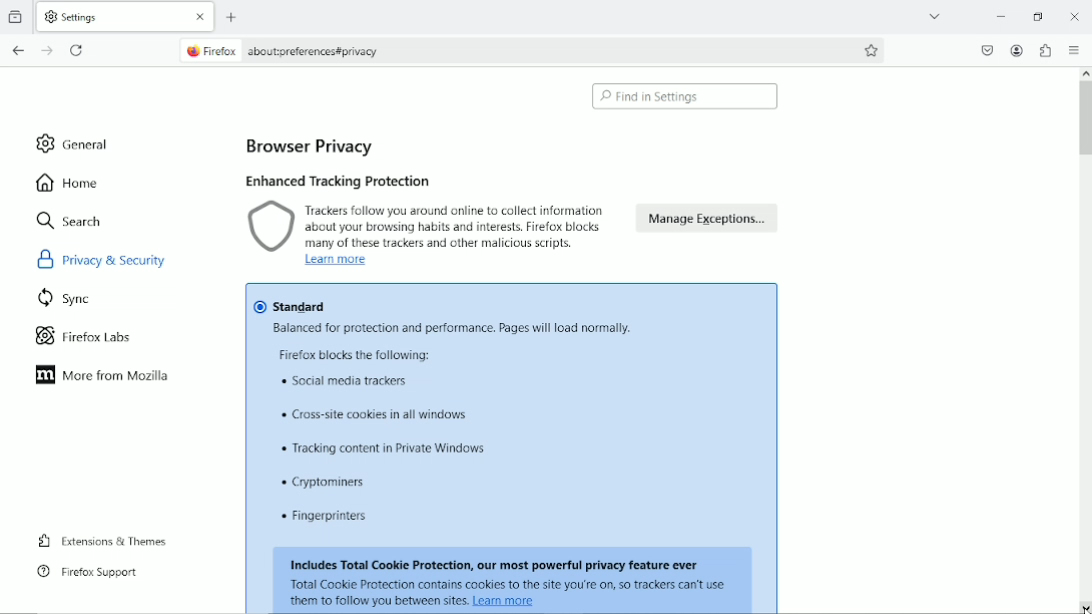  I want to click on list all tabs, so click(934, 15).